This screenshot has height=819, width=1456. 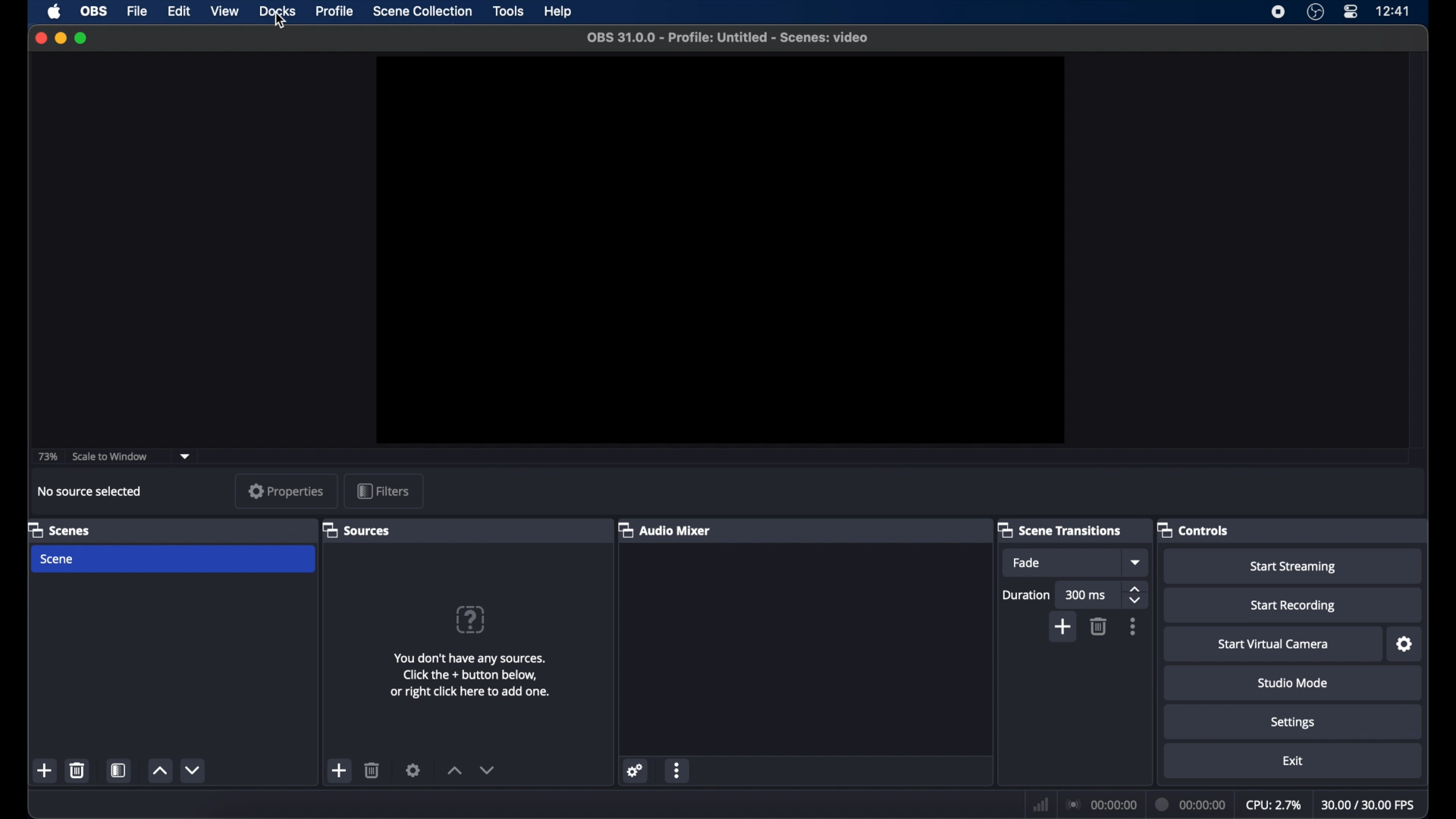 I want to click on file, so click(x=137, y=11).